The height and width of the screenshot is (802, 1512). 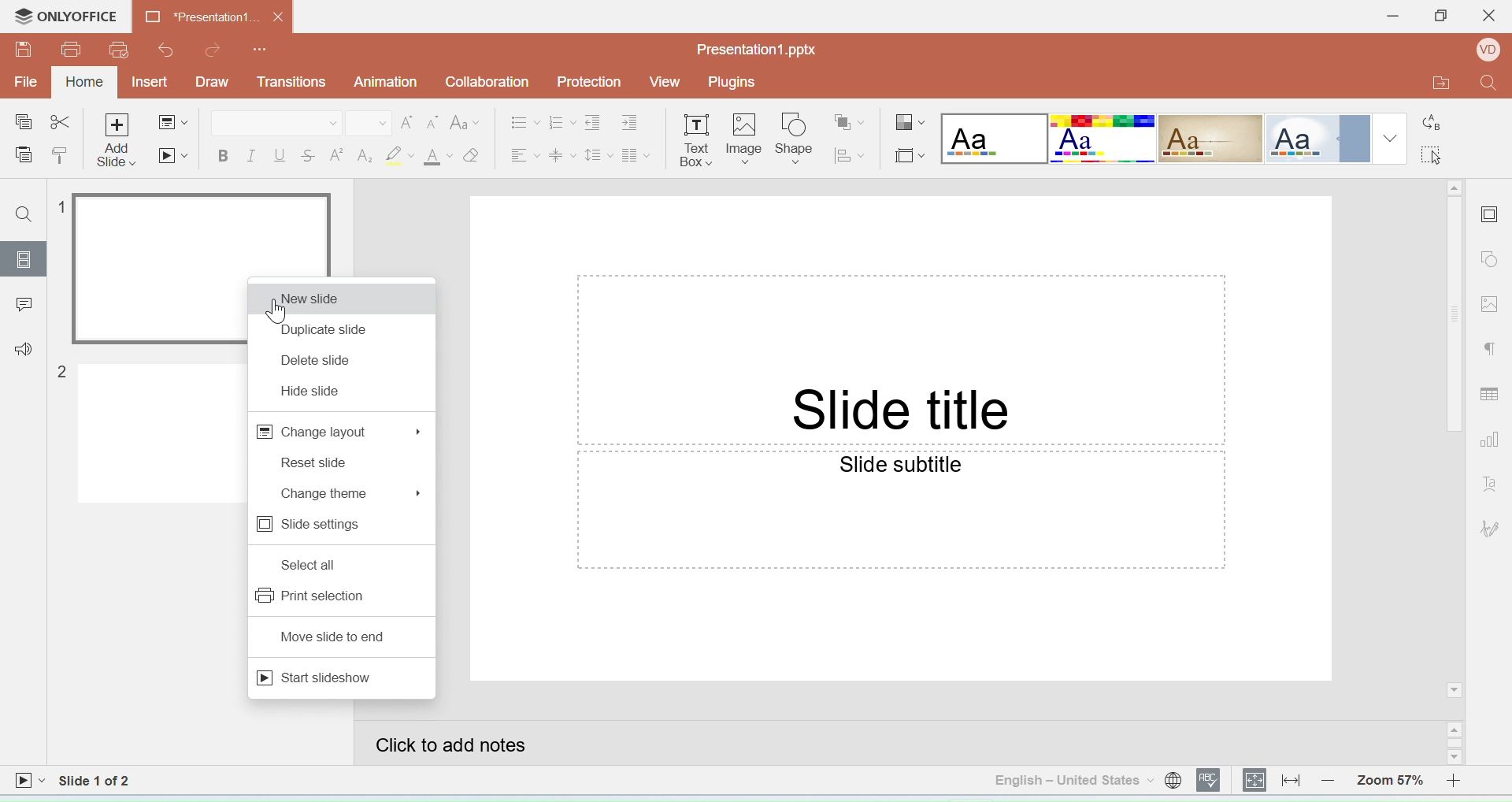 What do you see at coordinates (223, 158) in the screenshot?
I see `Bold` at bounding box center [223, 158].